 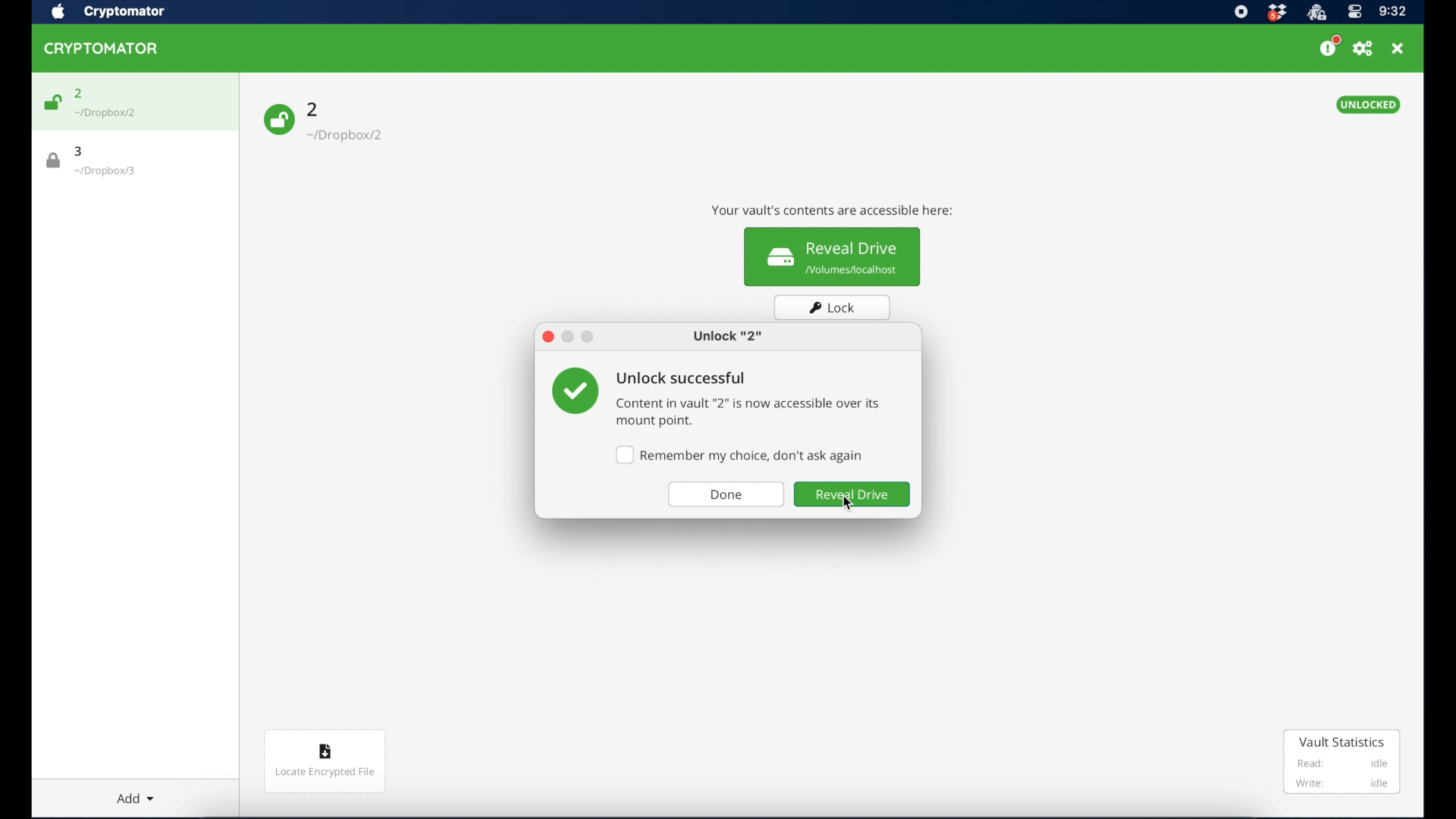 I want to click on cryptomator icon, so click(x=102, y=49).